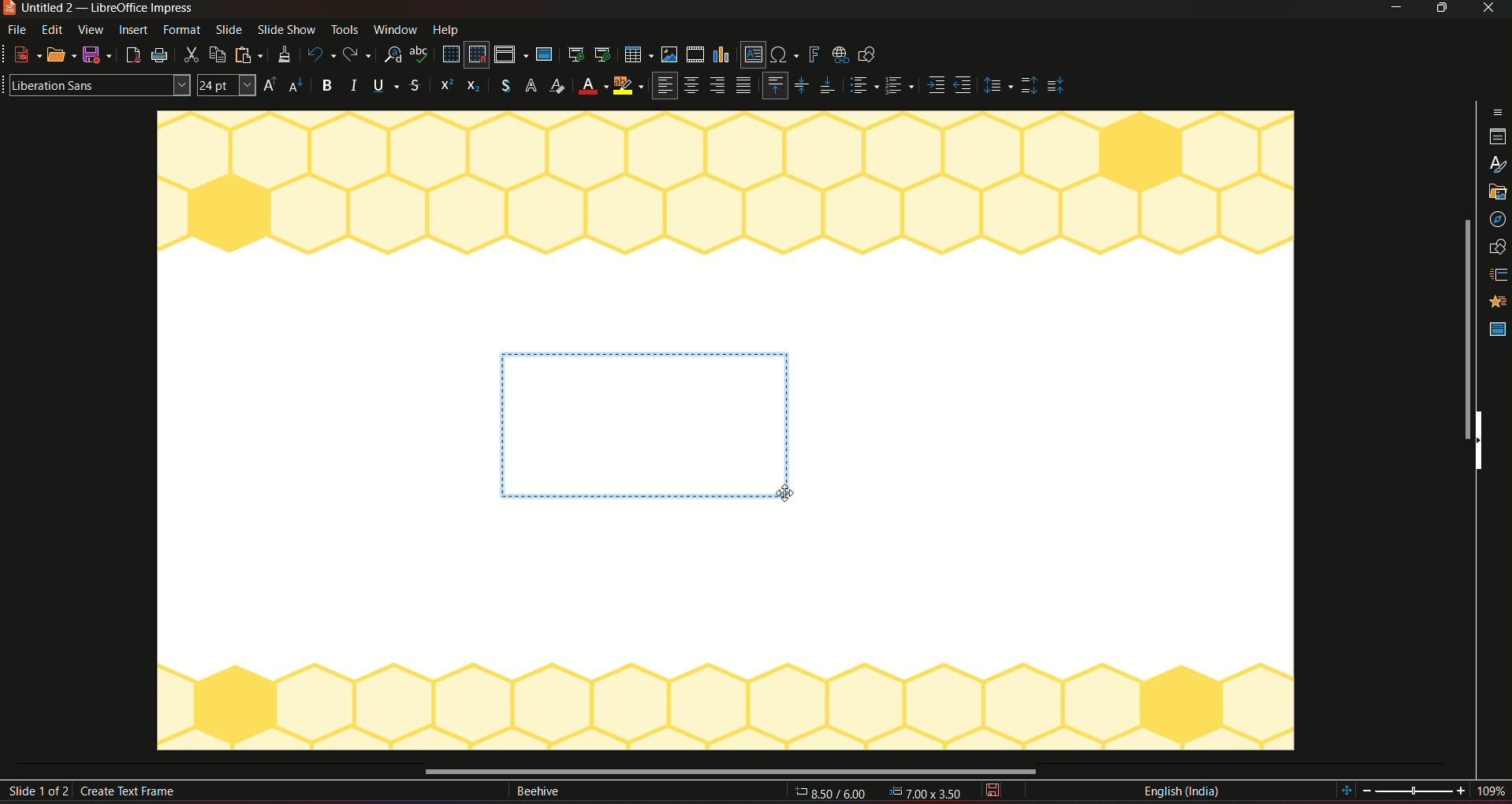 This screenshot has width=1512, height=804. I want to click on font stylre, so click(96, 84).